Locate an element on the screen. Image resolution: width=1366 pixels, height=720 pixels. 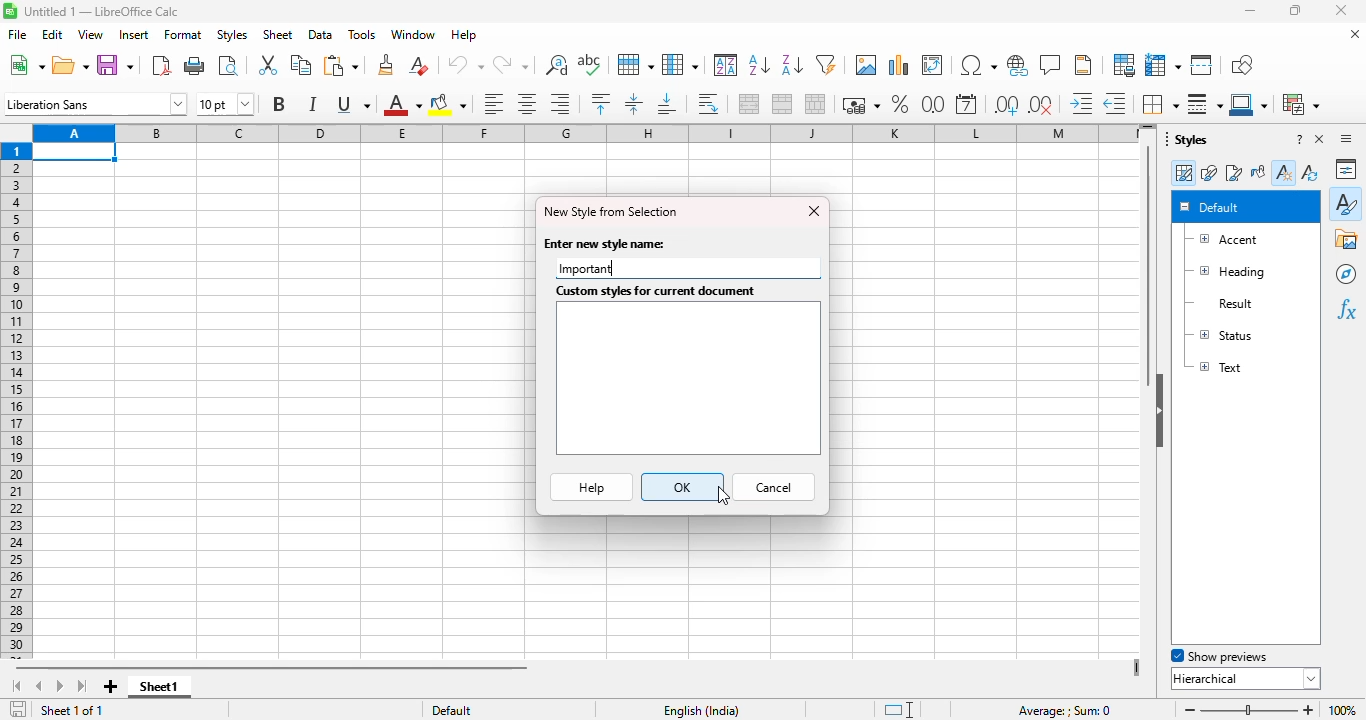
wrap text is located at coordinates (707, 104).